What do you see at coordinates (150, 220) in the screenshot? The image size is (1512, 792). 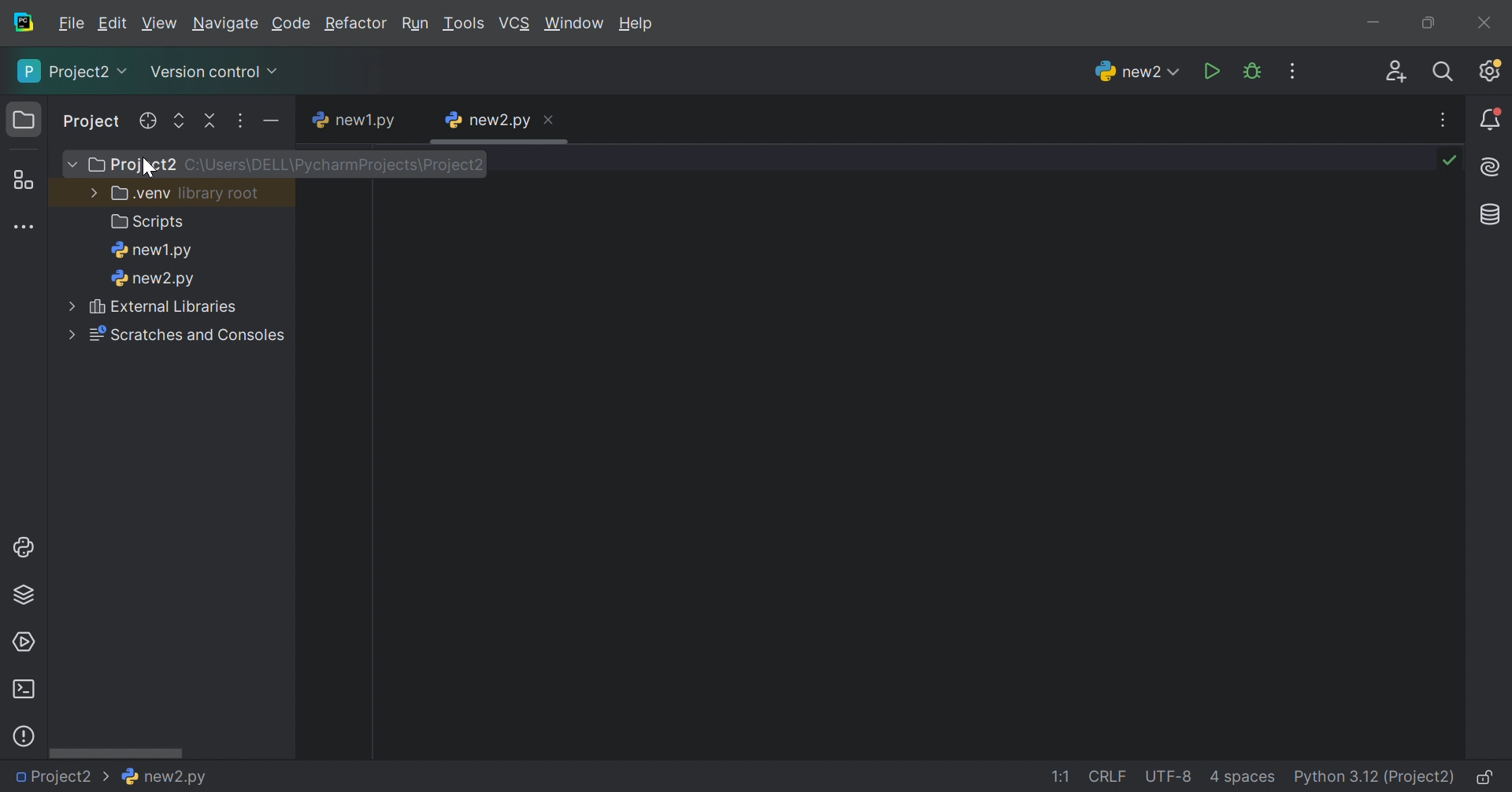 I see `Scripts` at bounding box center [150, 220].